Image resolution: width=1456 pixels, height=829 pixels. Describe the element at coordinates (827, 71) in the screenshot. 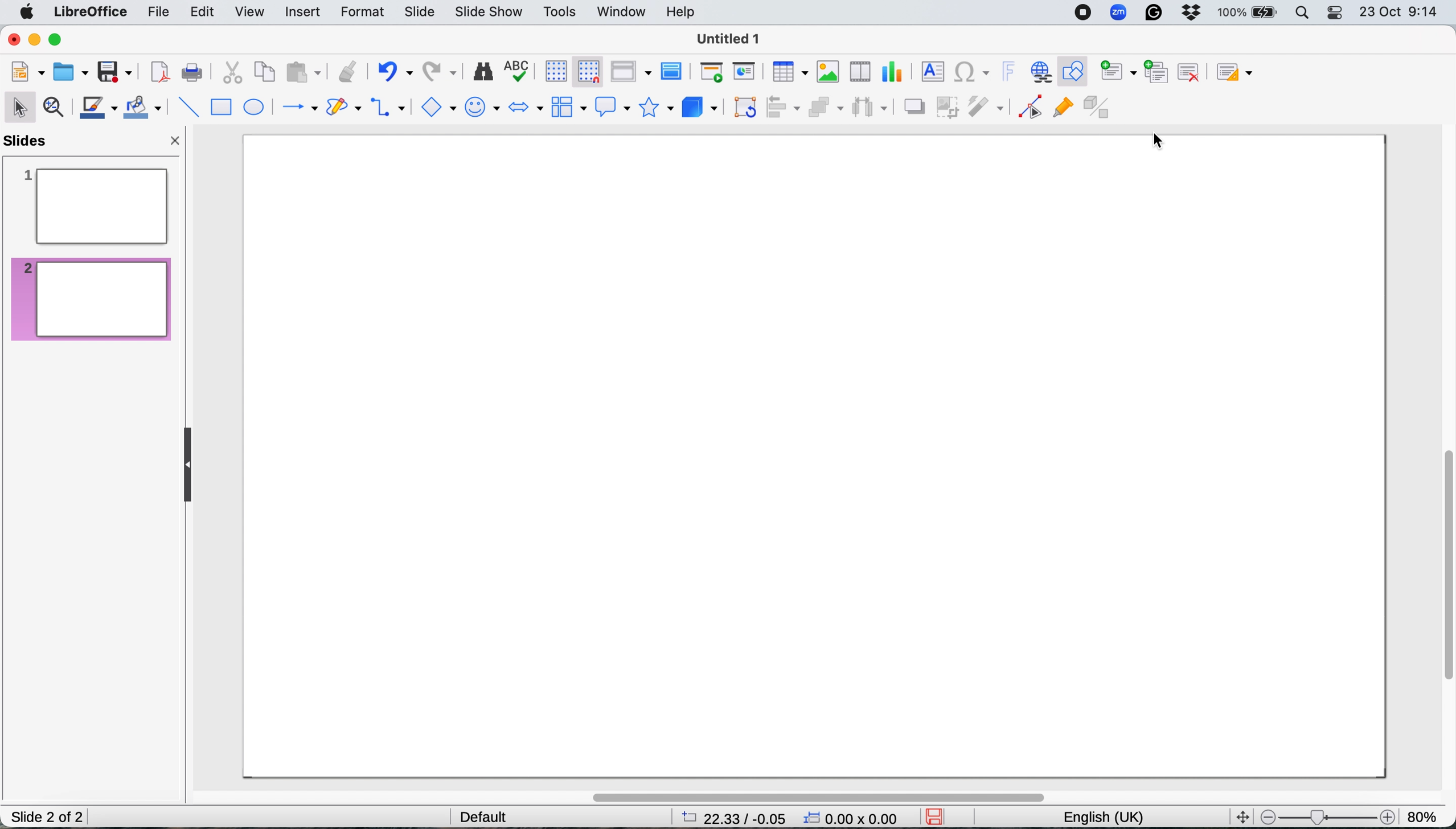

I see `insert image` at that location.